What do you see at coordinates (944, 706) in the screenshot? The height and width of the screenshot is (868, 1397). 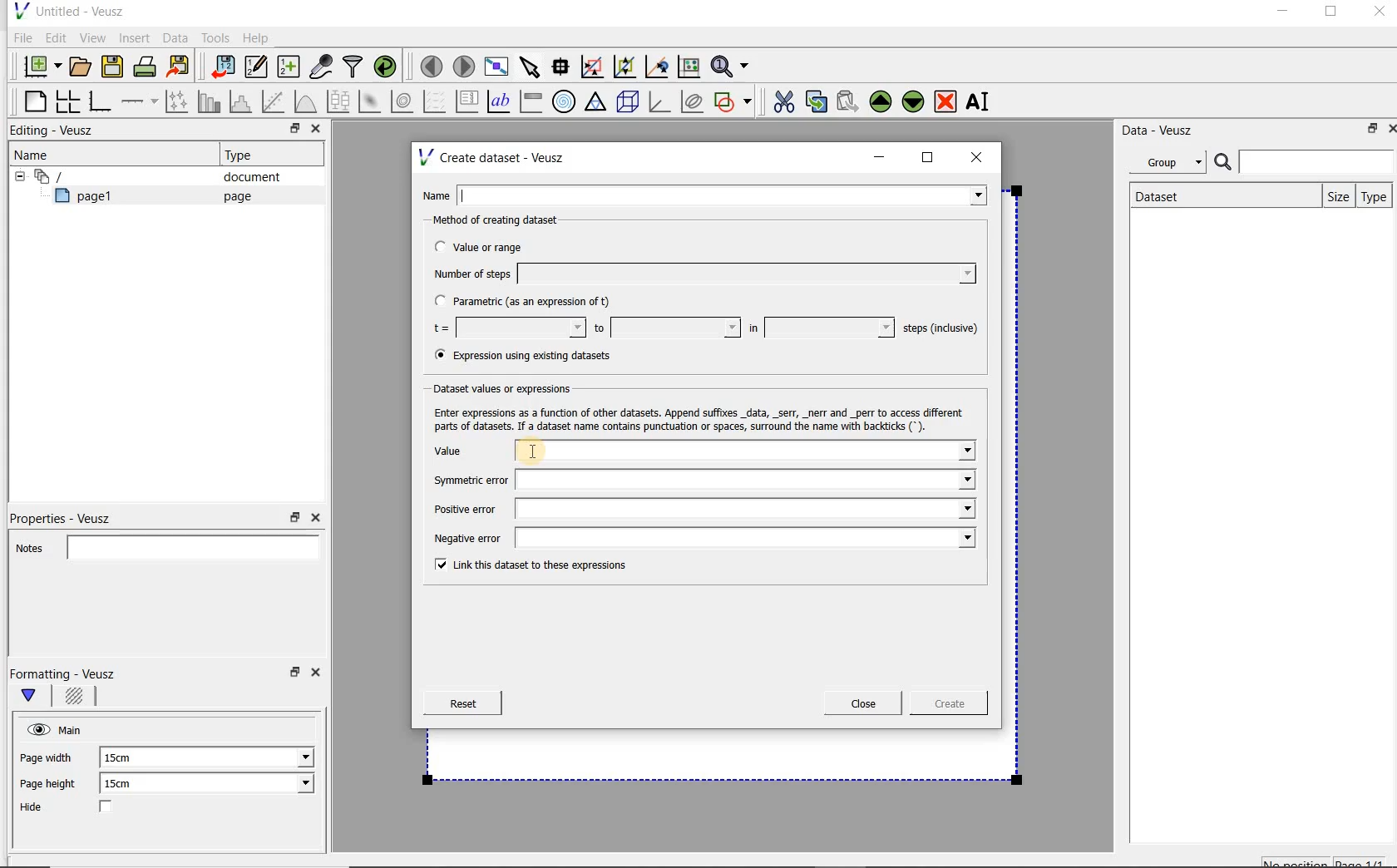 I see `Create` at bounding box center [944, 706].